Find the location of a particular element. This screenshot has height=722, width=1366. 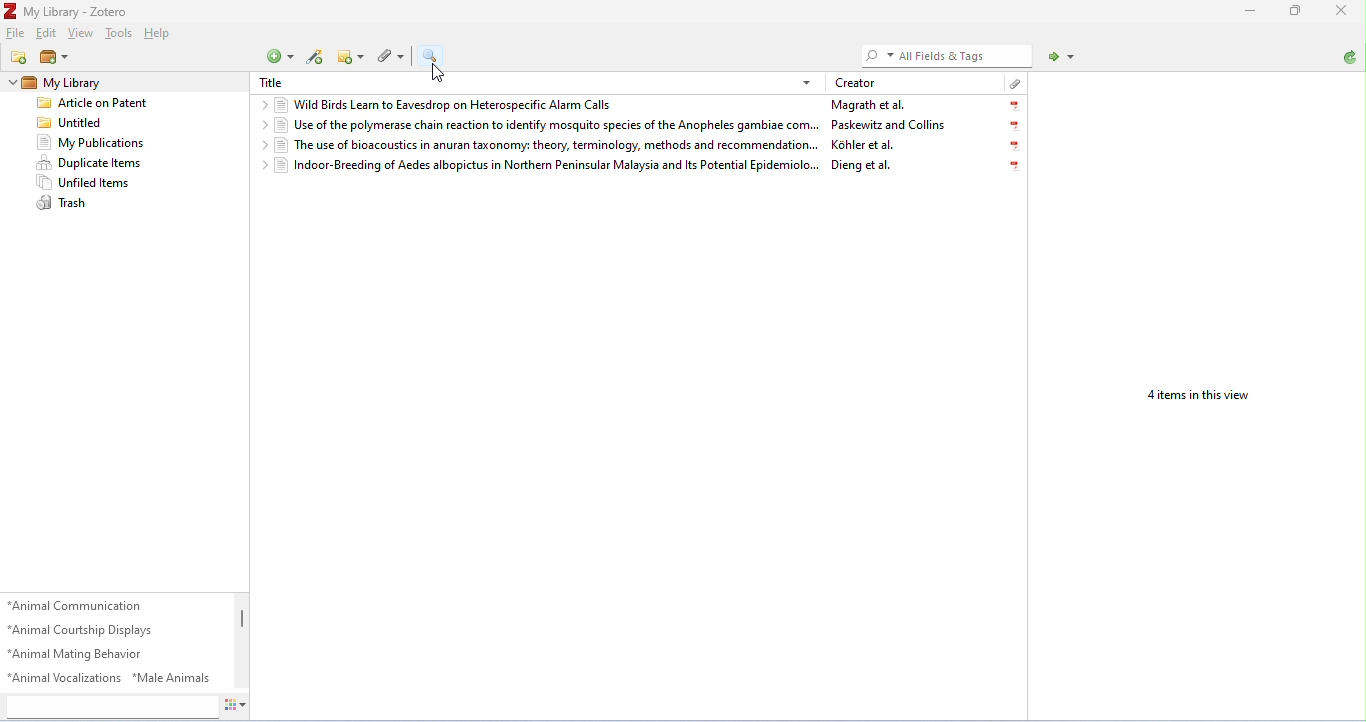

The use of bioacoustics in anuran taxonomy: theory, terminology, methods and recommendations for best practice is located at coordinates (546, 145).